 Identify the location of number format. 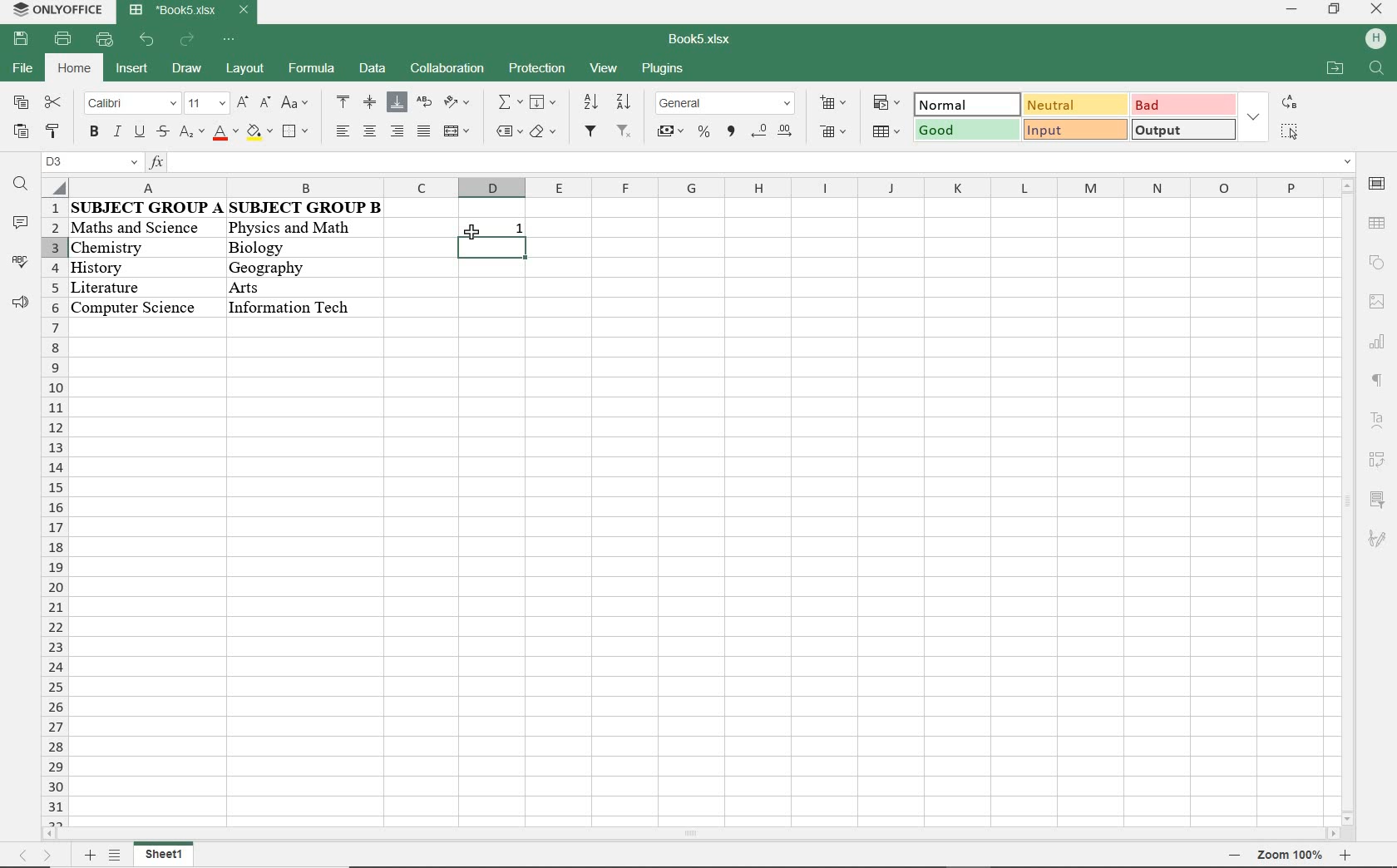
(726, 105).